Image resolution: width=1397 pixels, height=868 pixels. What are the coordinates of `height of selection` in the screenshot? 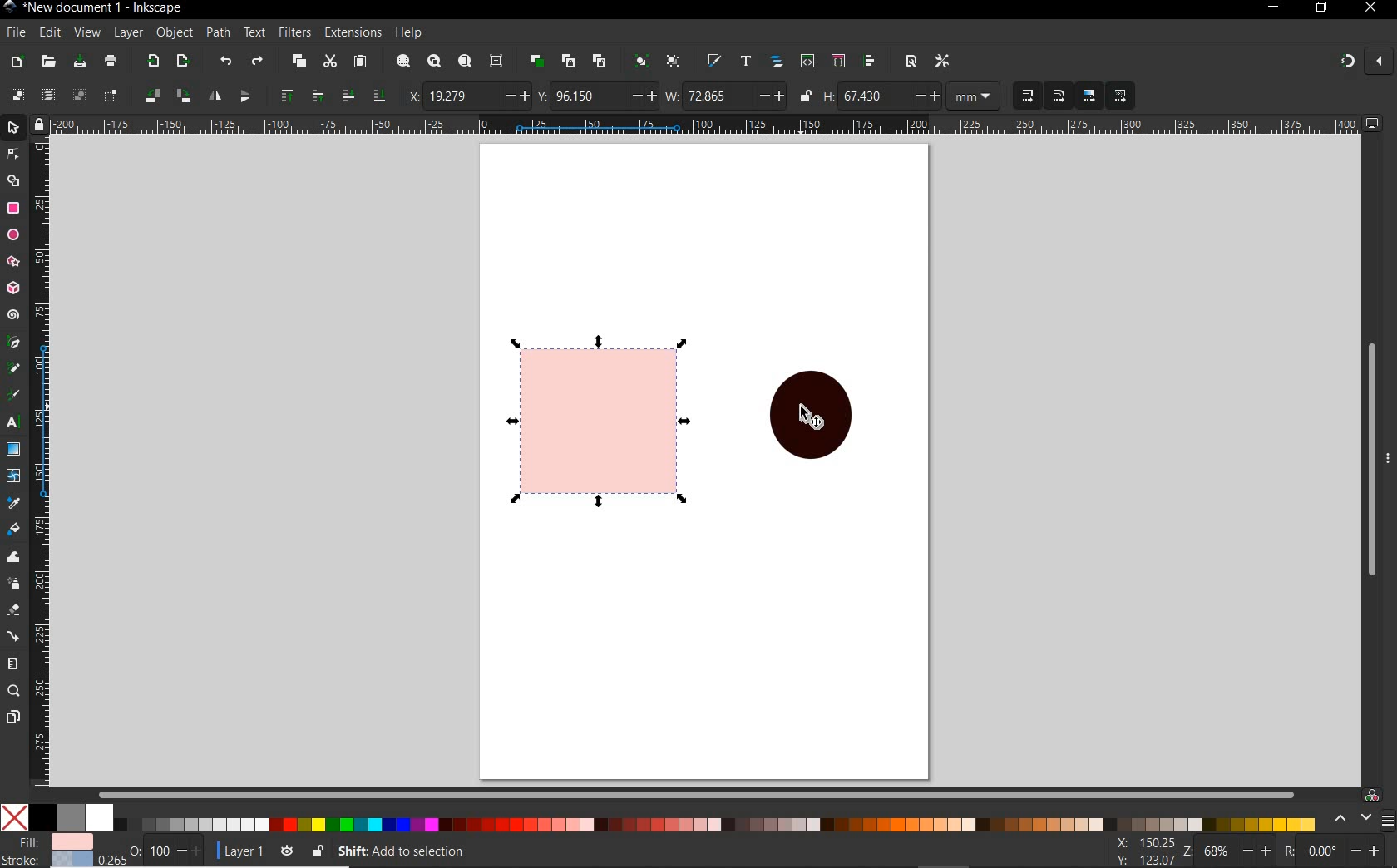 It's located at (914, 96).